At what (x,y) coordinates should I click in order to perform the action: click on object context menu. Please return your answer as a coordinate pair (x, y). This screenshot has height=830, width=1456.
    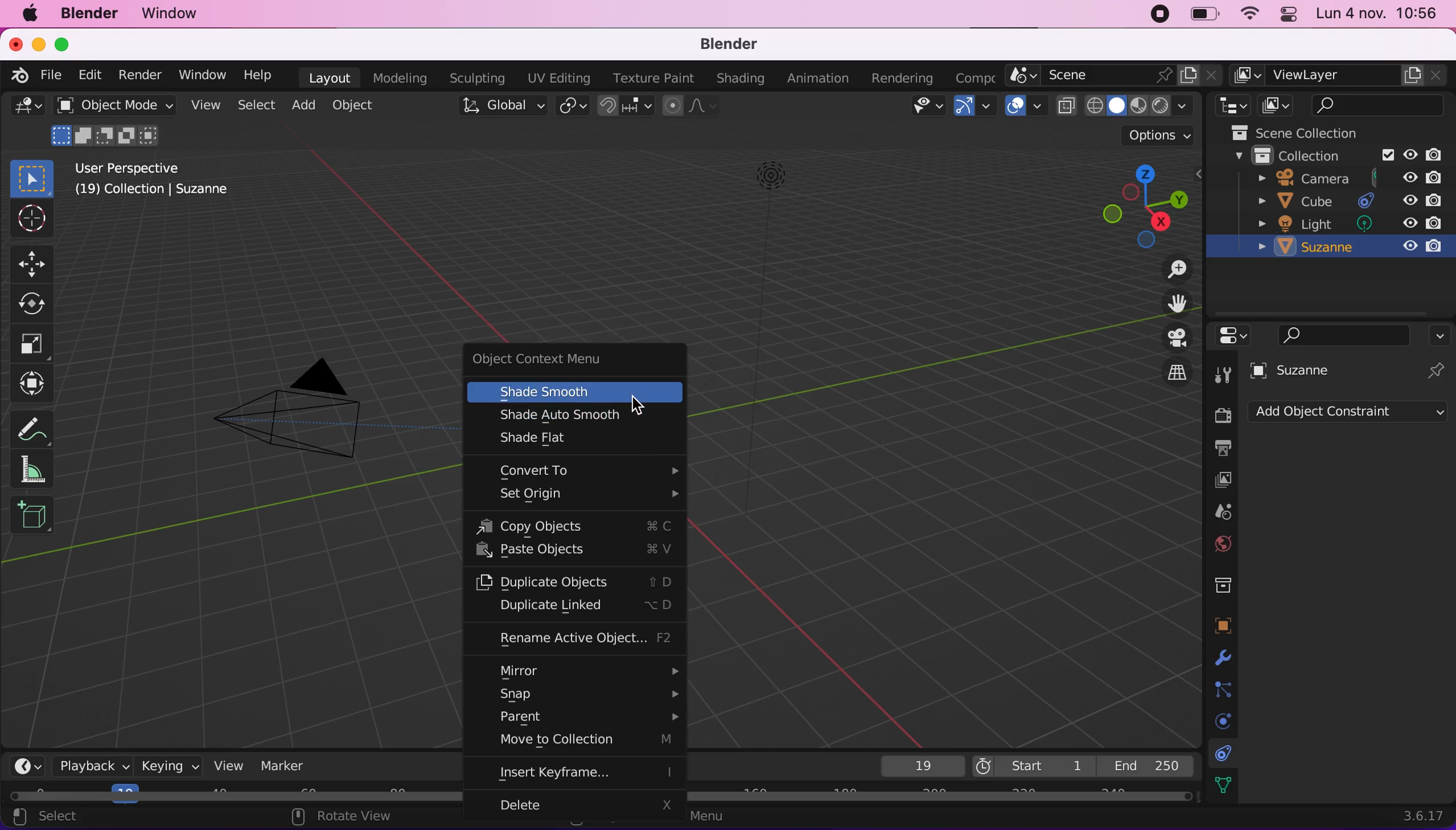
    Looking at the image, I should click on (713, 815).